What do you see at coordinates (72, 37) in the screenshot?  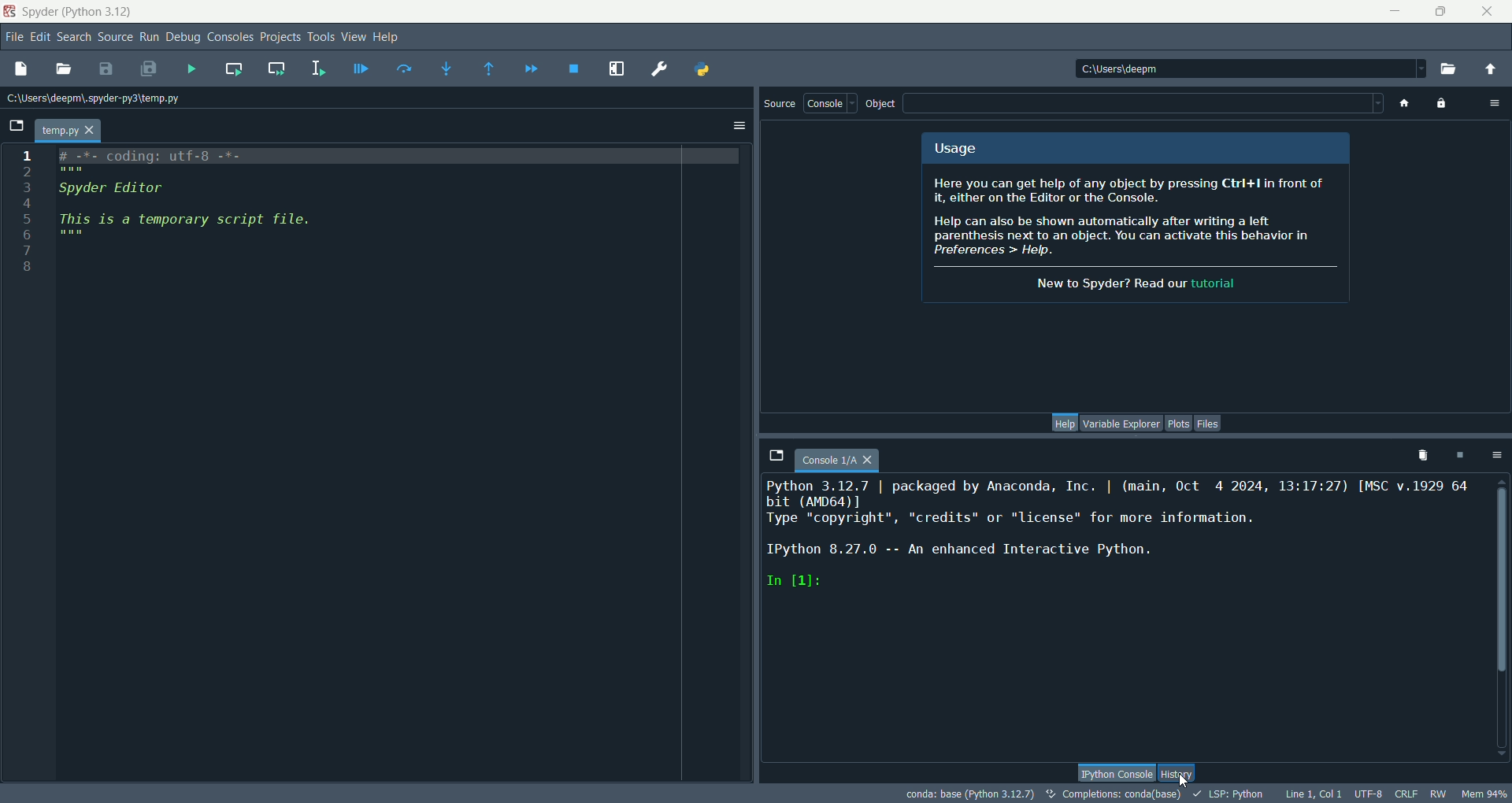 I see `search` at bounding box center [72, 37].